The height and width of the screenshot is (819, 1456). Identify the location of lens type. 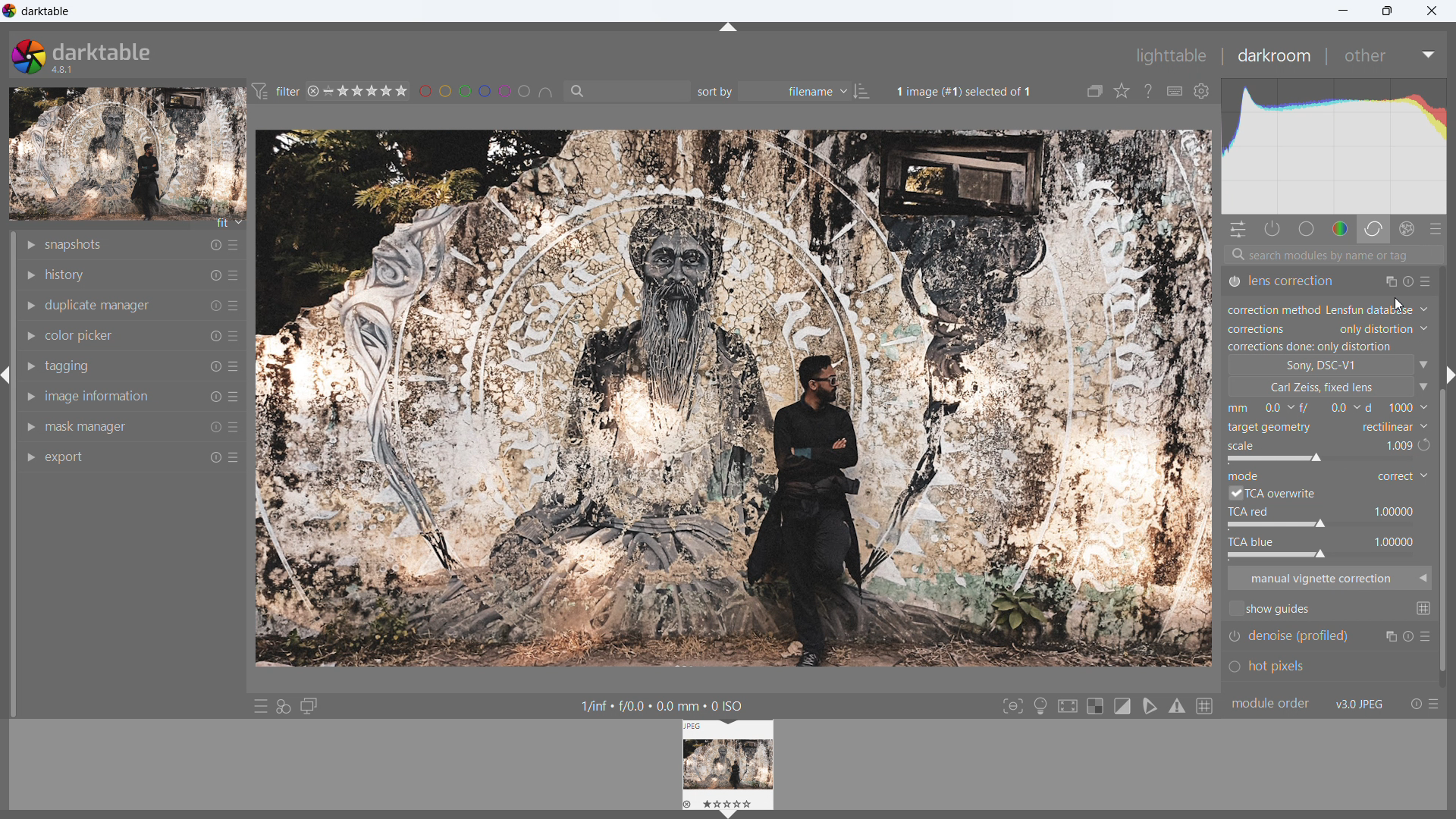
(1330, 387).